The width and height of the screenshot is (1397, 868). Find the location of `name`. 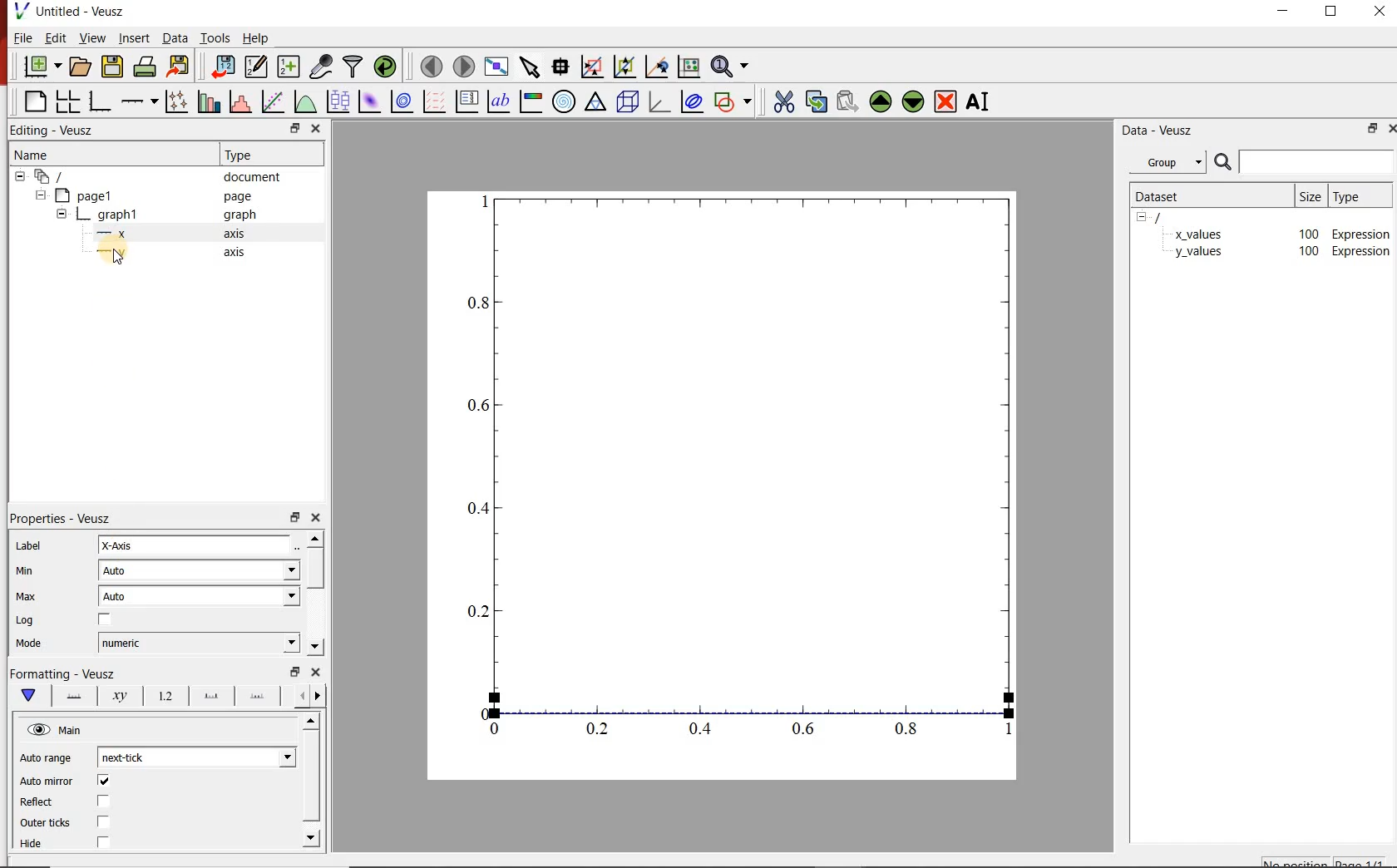

name is located at coordinates (33, 156).